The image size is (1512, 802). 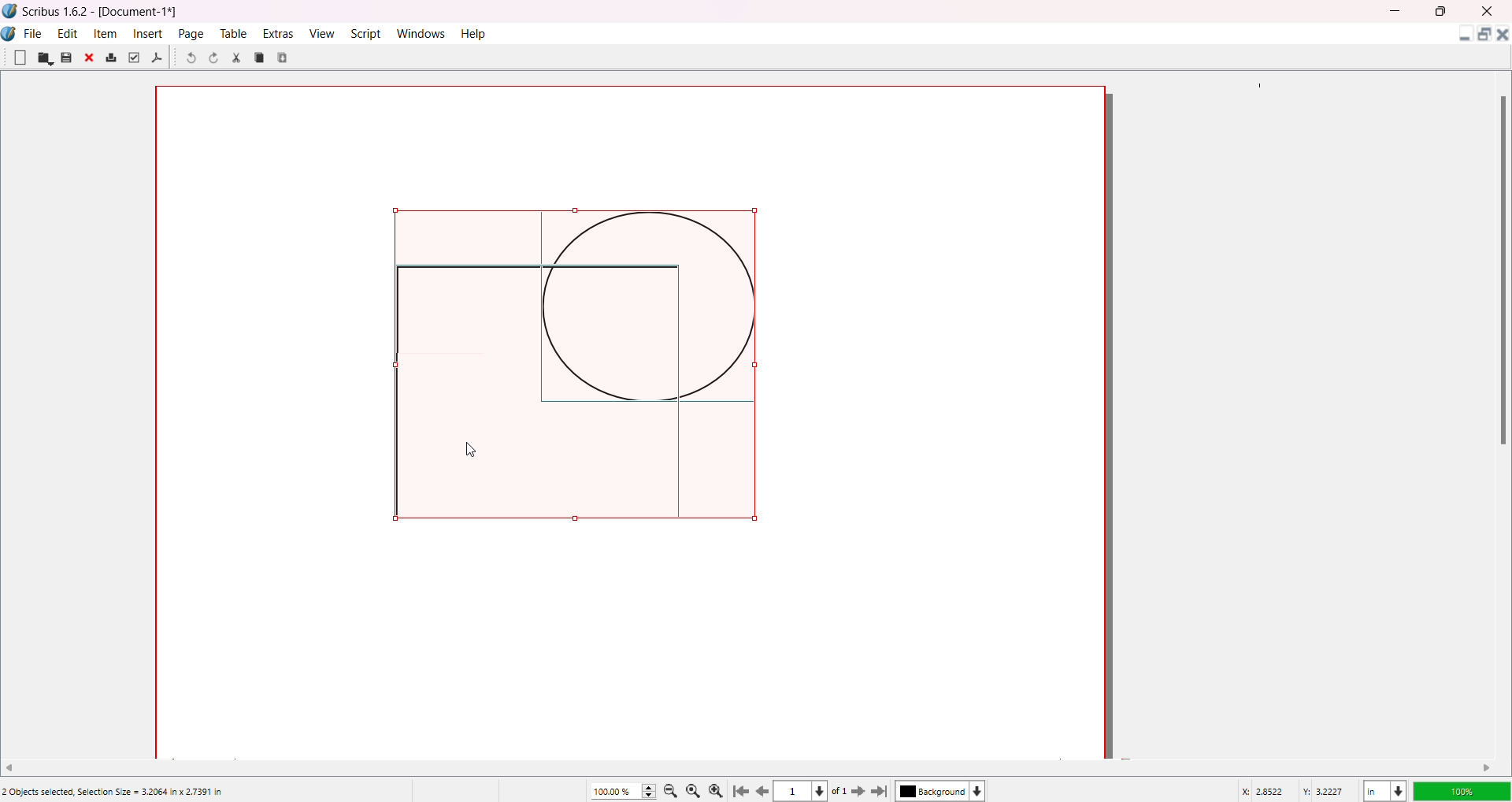 What do you see at coordinates (192, 33) in the screenshot?
I see `Page` at bounding box center [192, 33].